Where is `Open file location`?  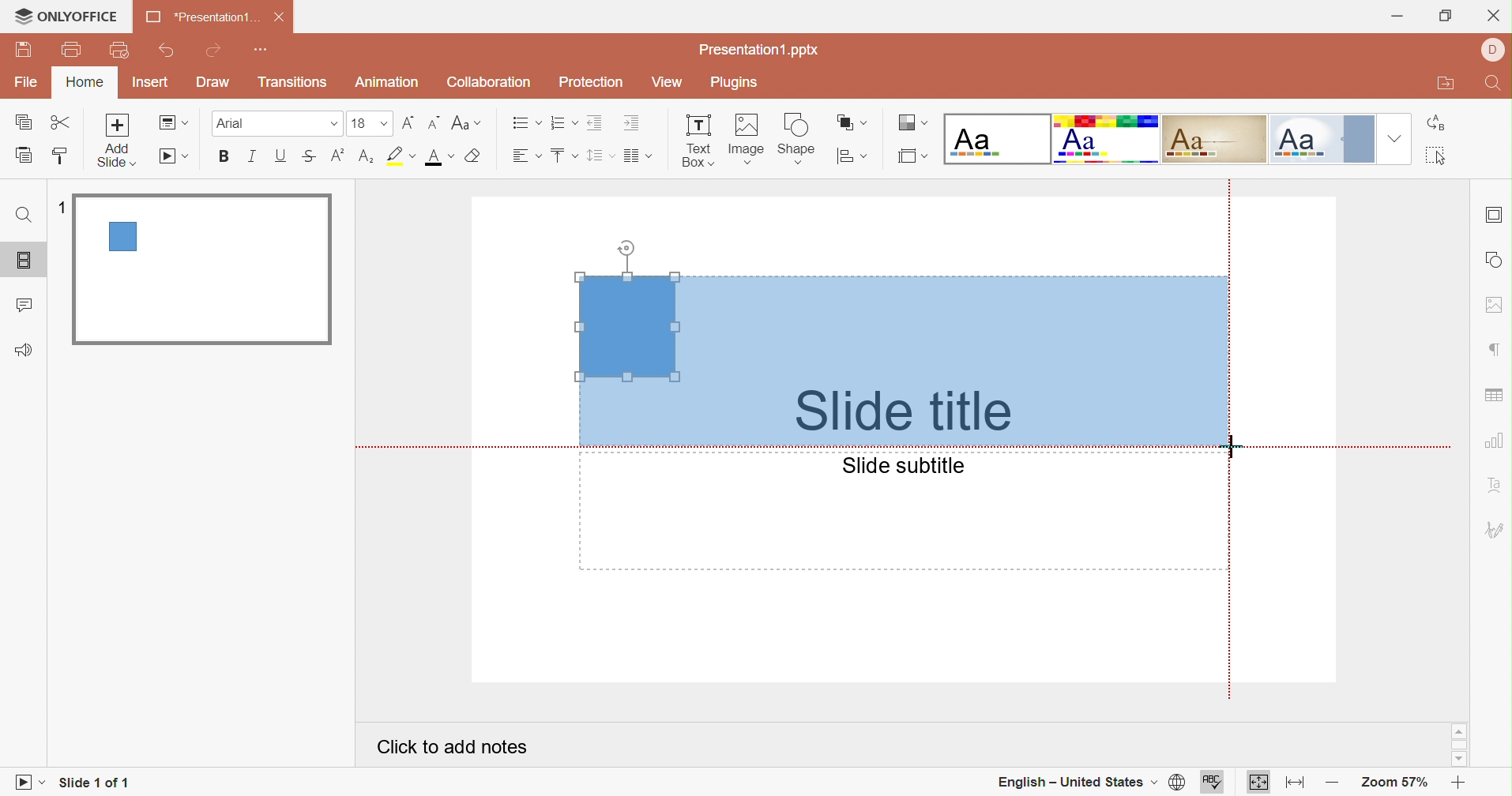 Open file location is located at coordinates (1446, 84).